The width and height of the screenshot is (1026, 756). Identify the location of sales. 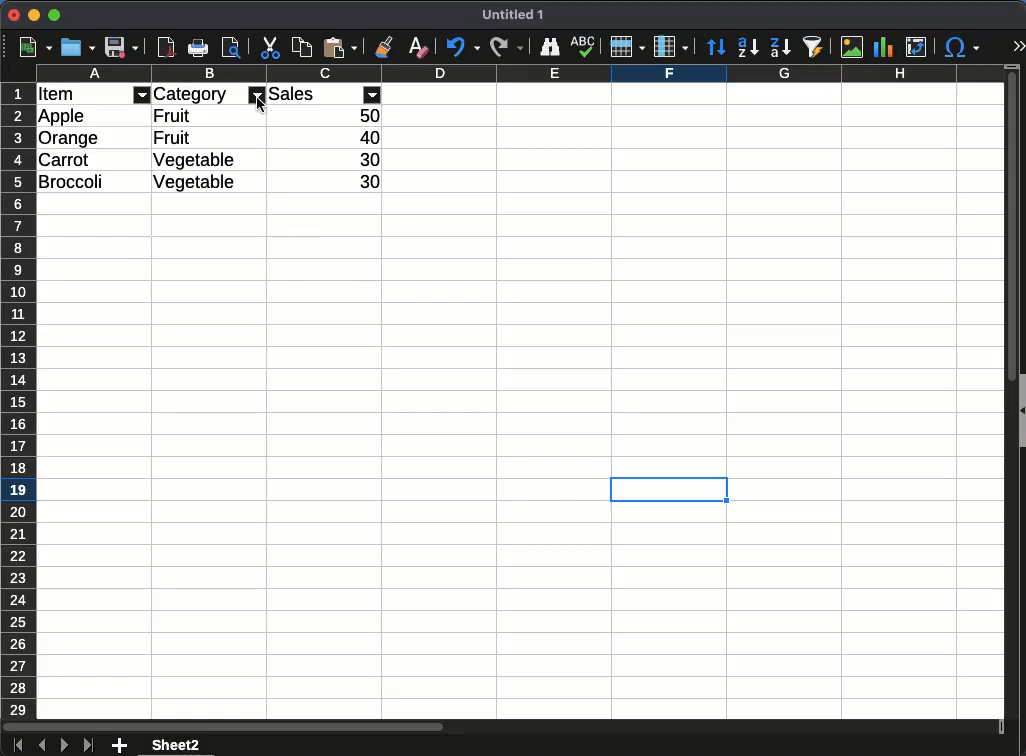
(310, 92).